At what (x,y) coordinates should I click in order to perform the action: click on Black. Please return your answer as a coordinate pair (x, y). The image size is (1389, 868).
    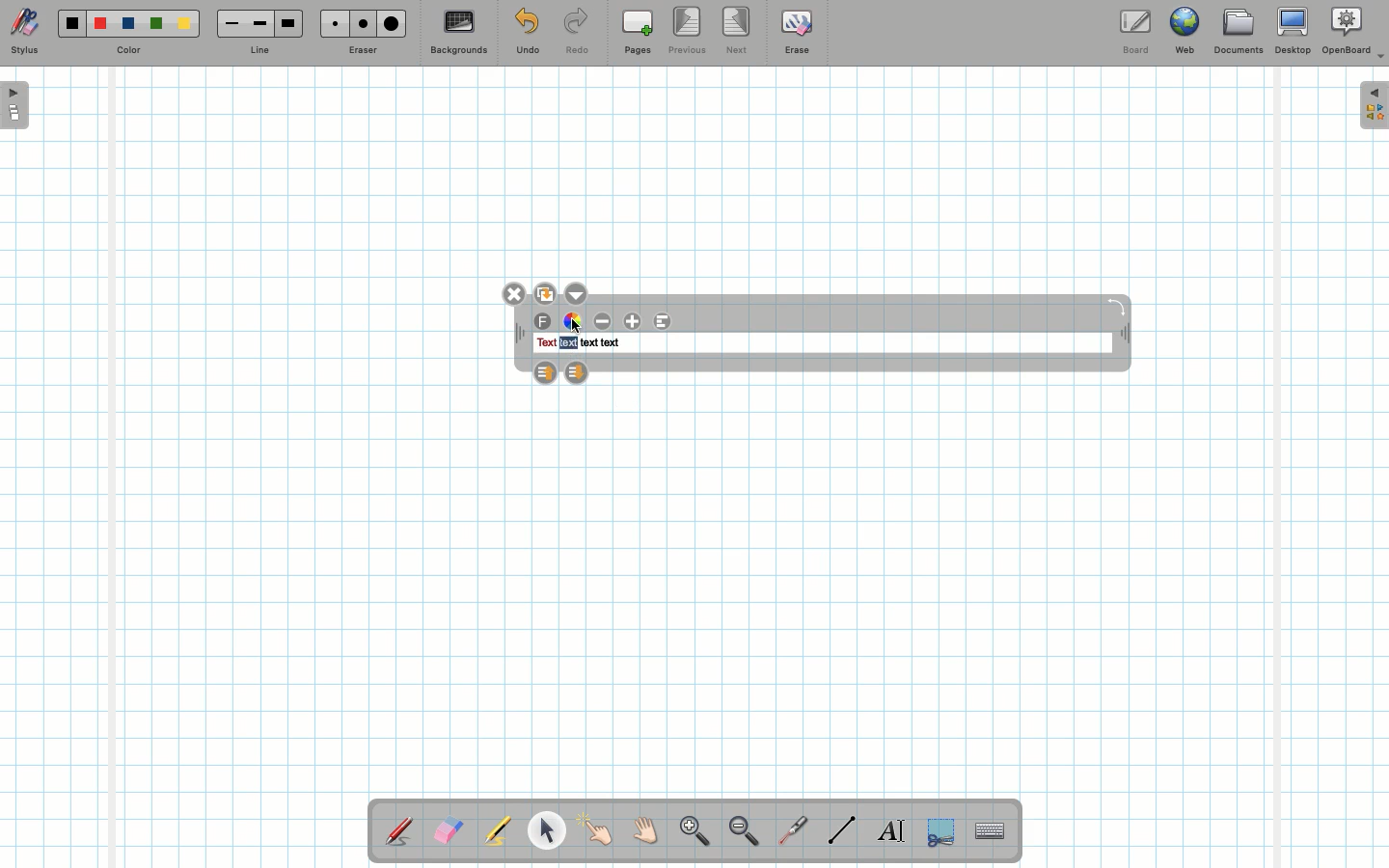
    Looking at the image, I should click on (70, 23).